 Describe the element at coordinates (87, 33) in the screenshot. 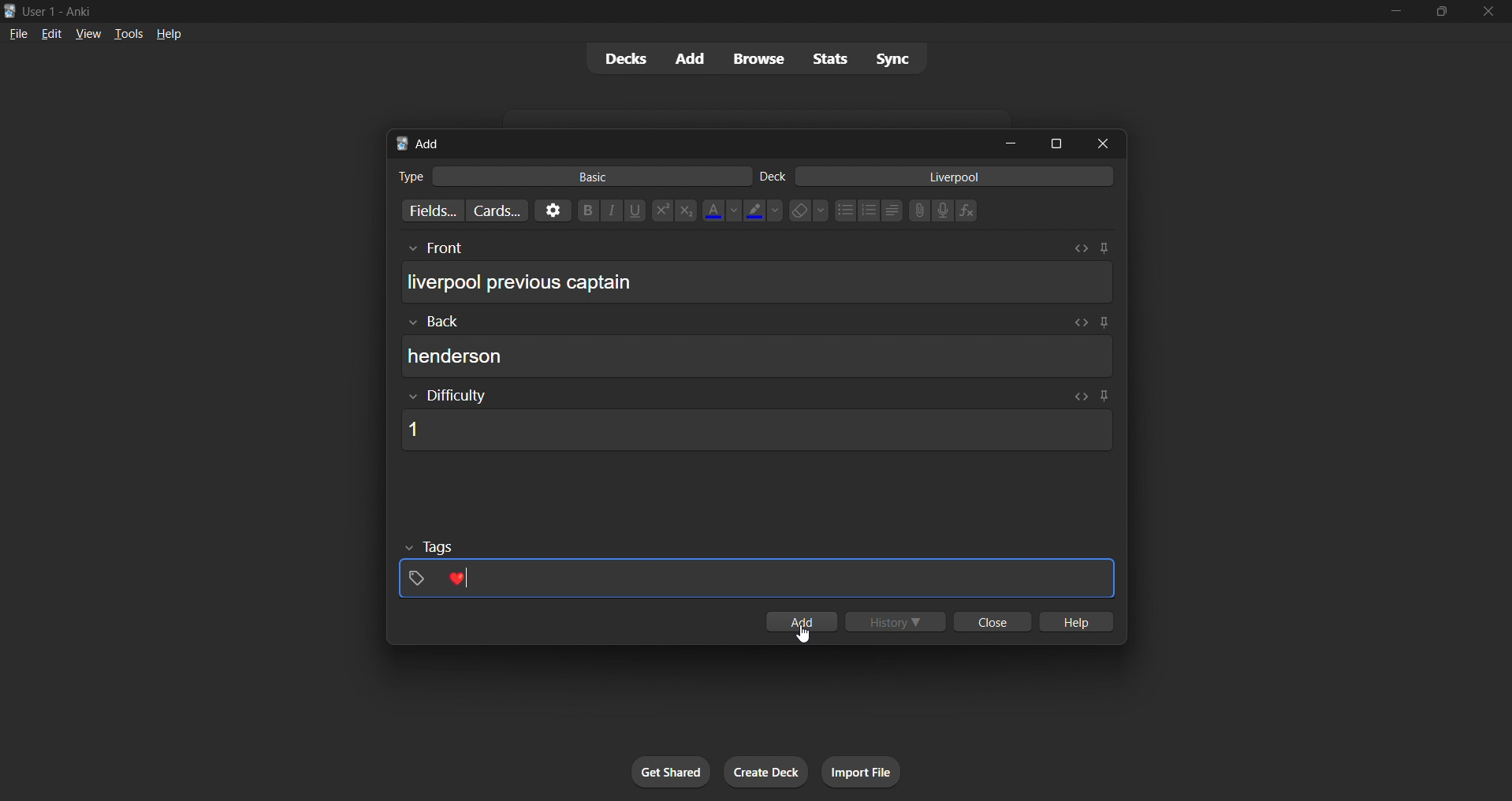

I see `view` at that location.